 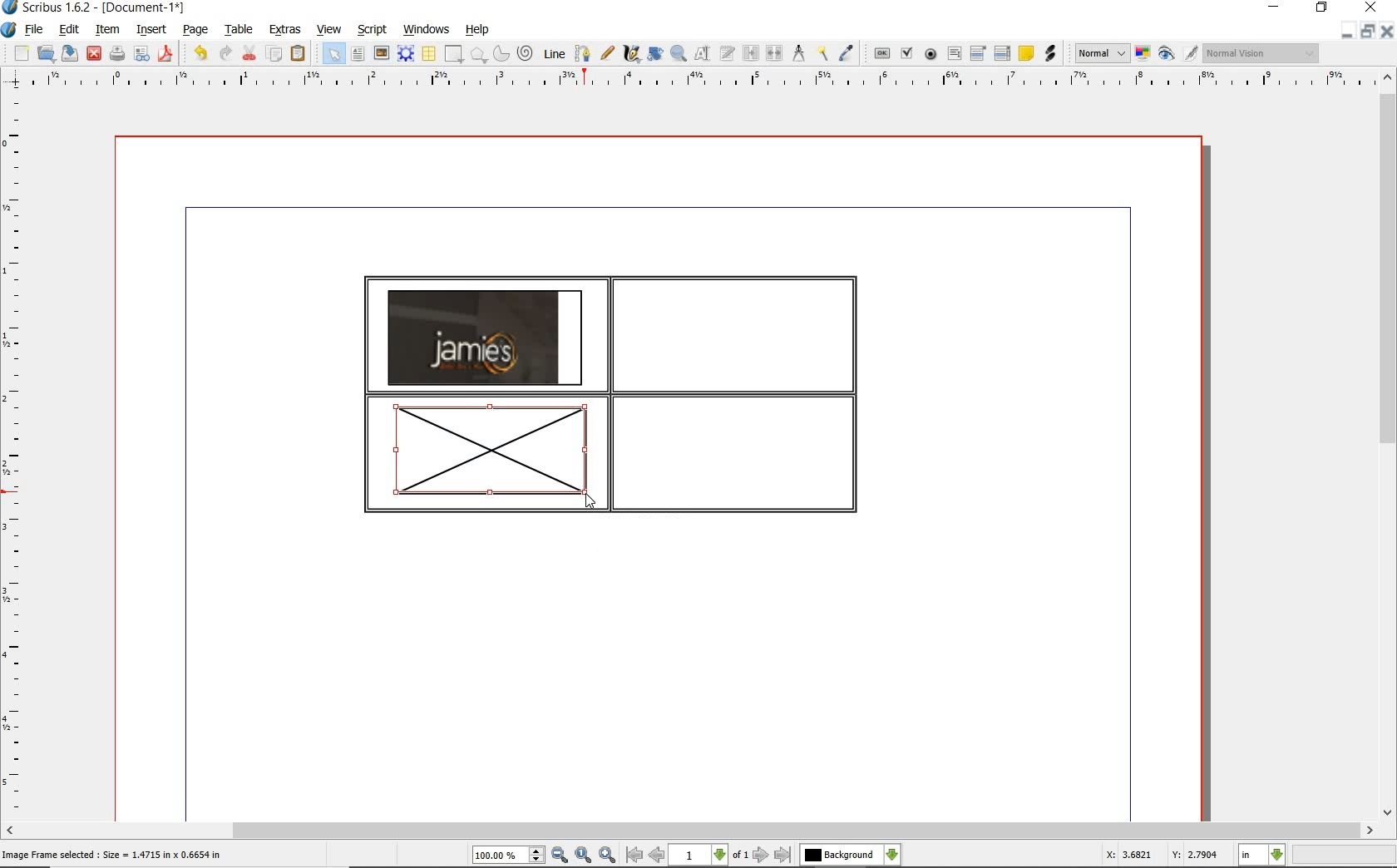 I want to click on undo, so click(x=200, y=53).